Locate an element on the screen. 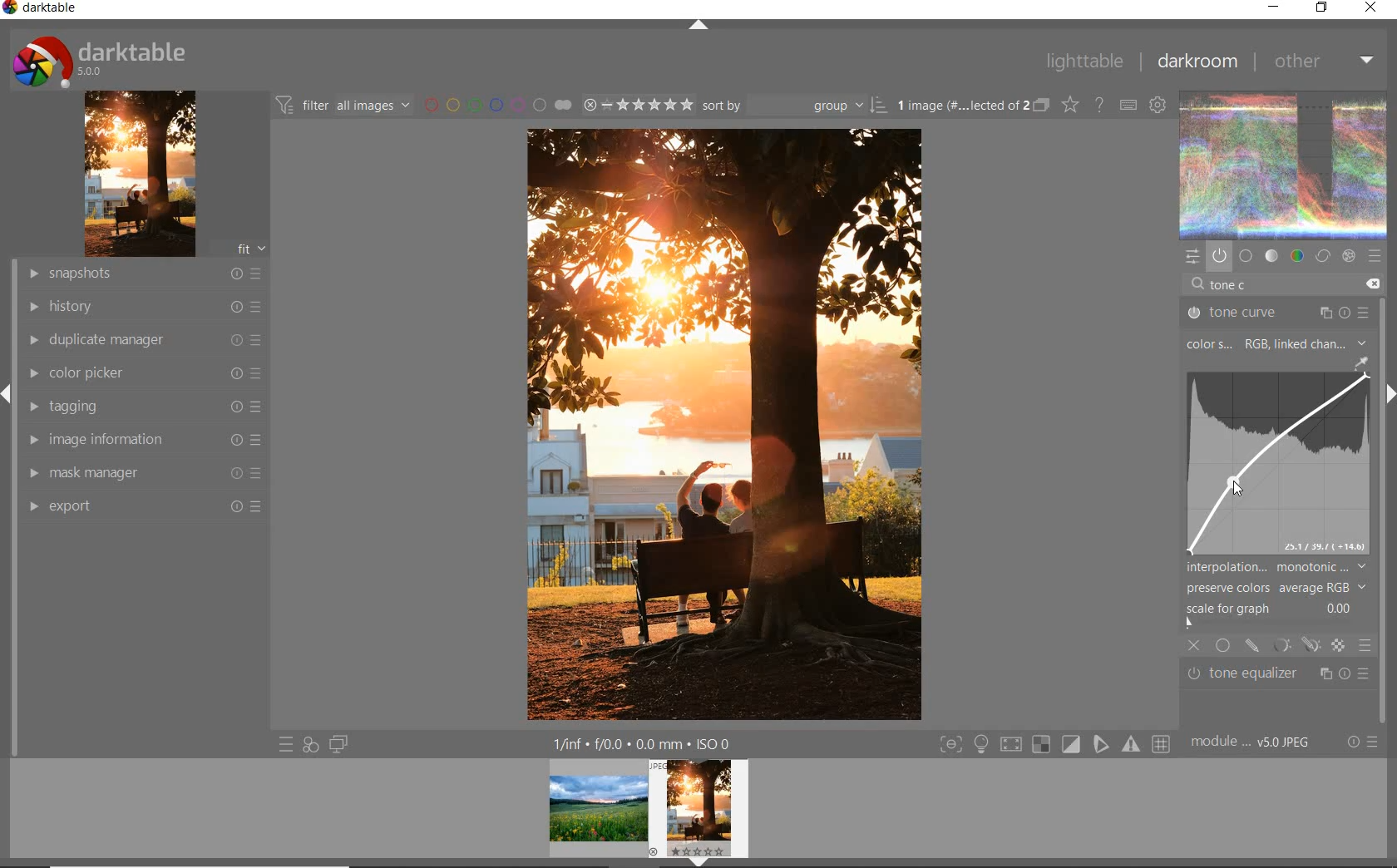 The image size is (1397, 868). enable for online help is located at coordinates (1102, 106).